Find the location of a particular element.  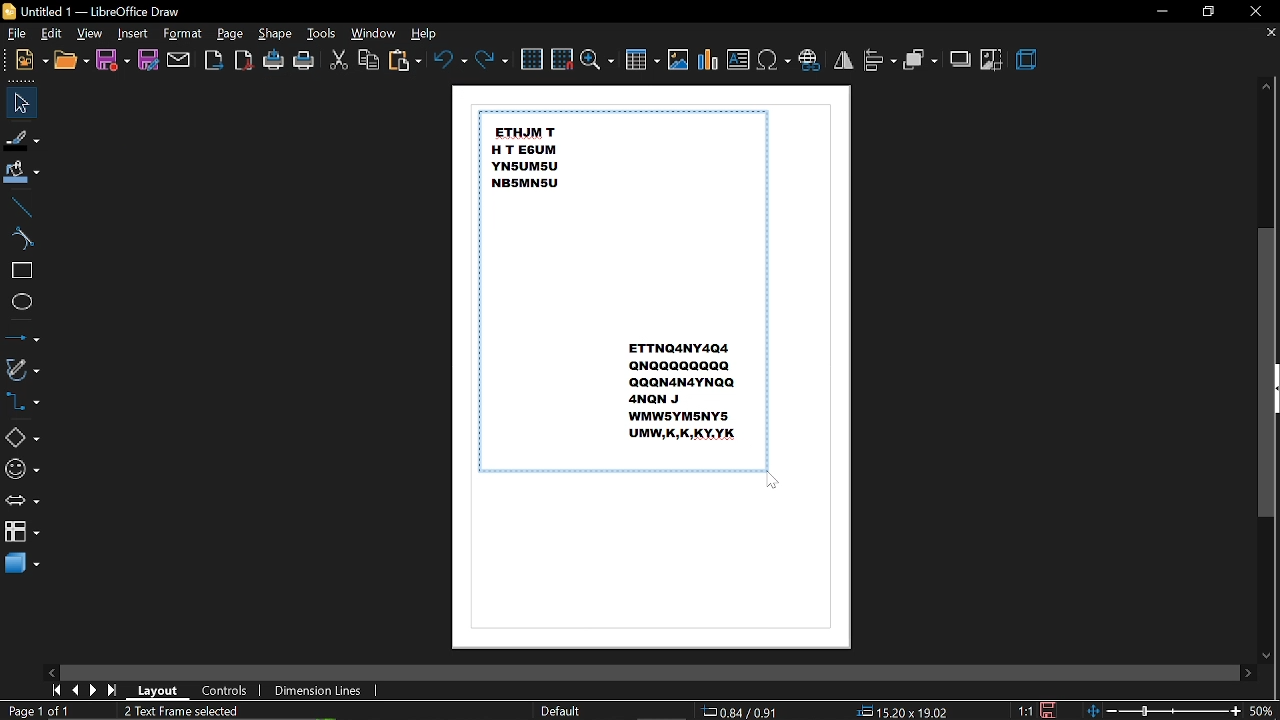

1:1 is located at coordinates (1023, 710).